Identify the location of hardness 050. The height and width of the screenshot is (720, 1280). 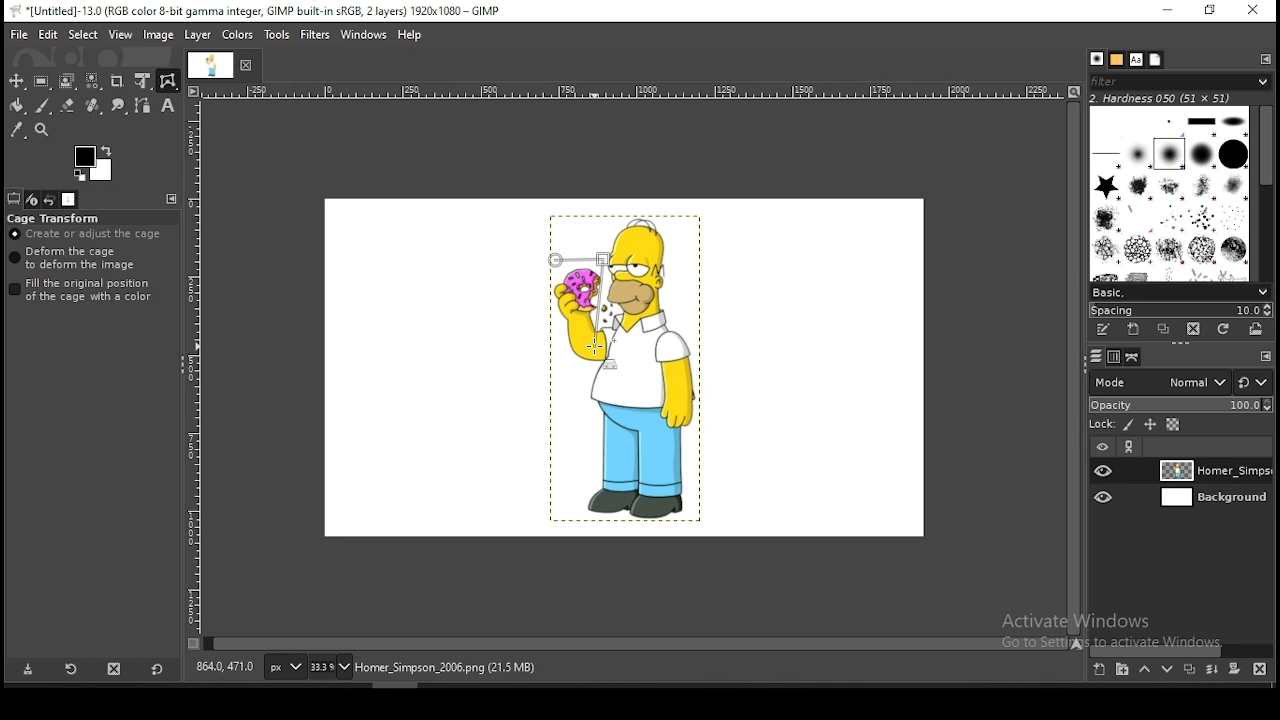
(1164, 100).